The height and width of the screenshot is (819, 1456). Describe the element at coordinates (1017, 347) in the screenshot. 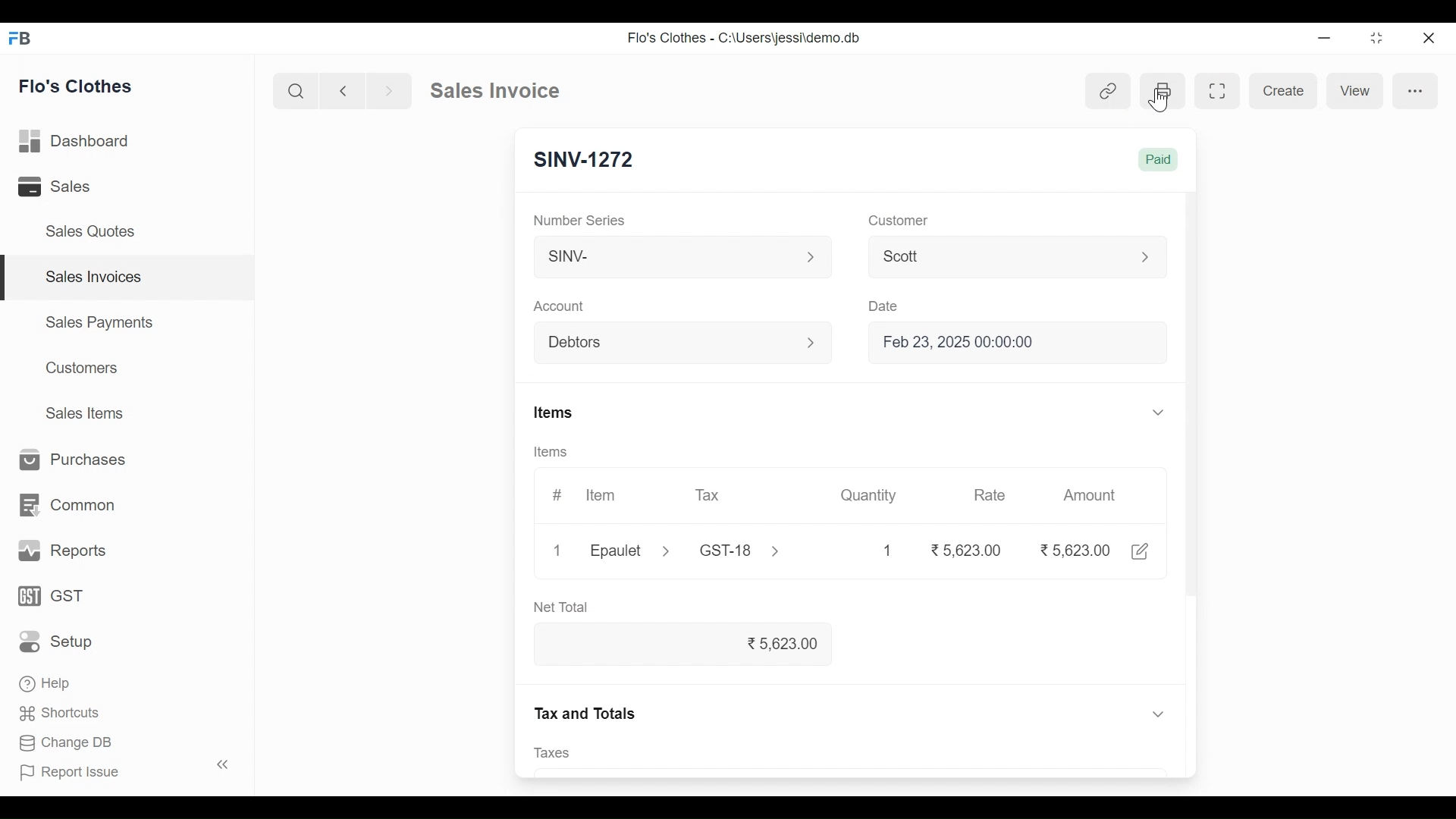

I see `Feb 23, 2025 00:00:0(` at that location.